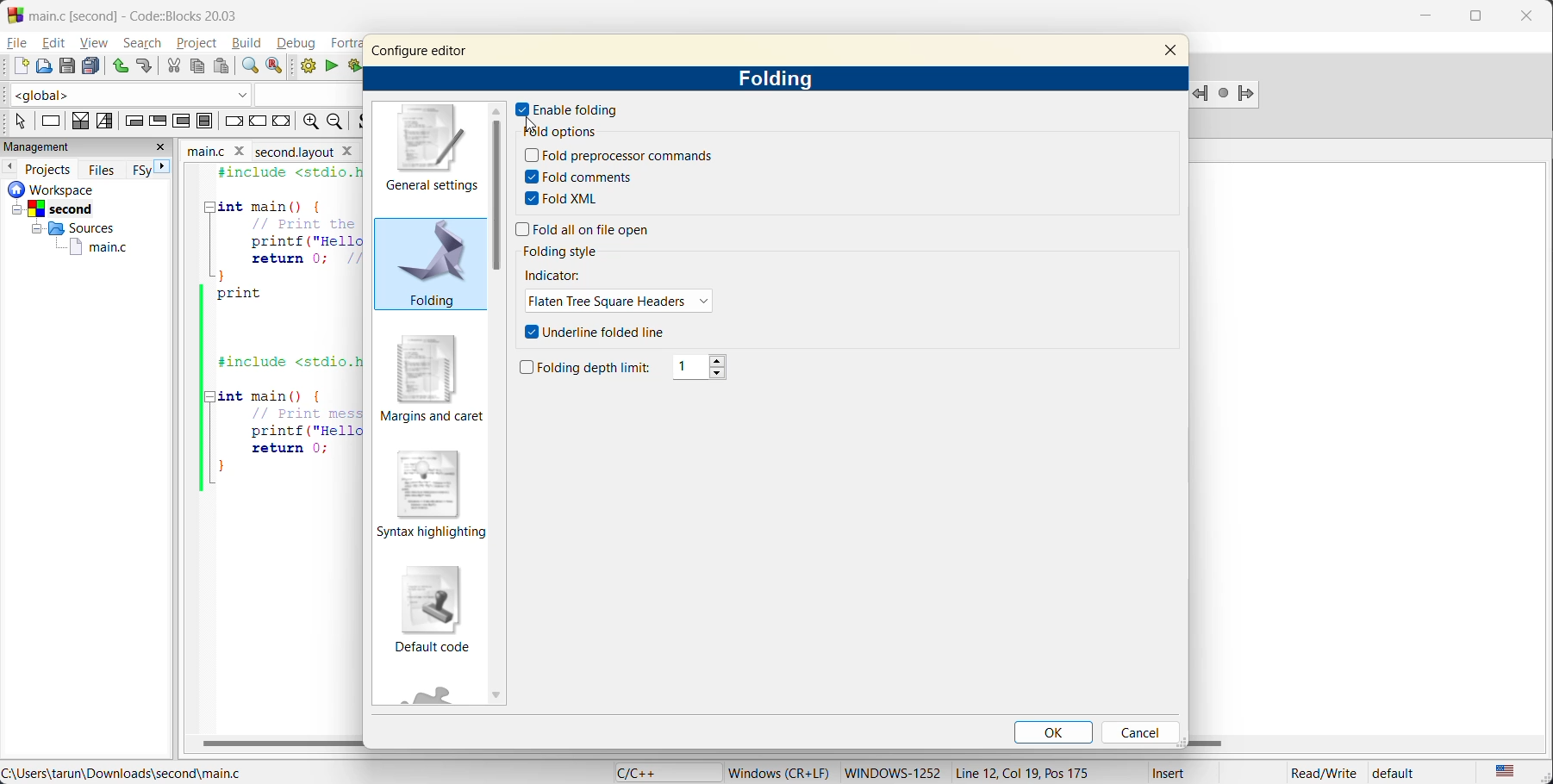 This screenshot has width=1553, height=784. Describe the element at coordinates (92, 42) in the screenshot. I see `view` at that location.